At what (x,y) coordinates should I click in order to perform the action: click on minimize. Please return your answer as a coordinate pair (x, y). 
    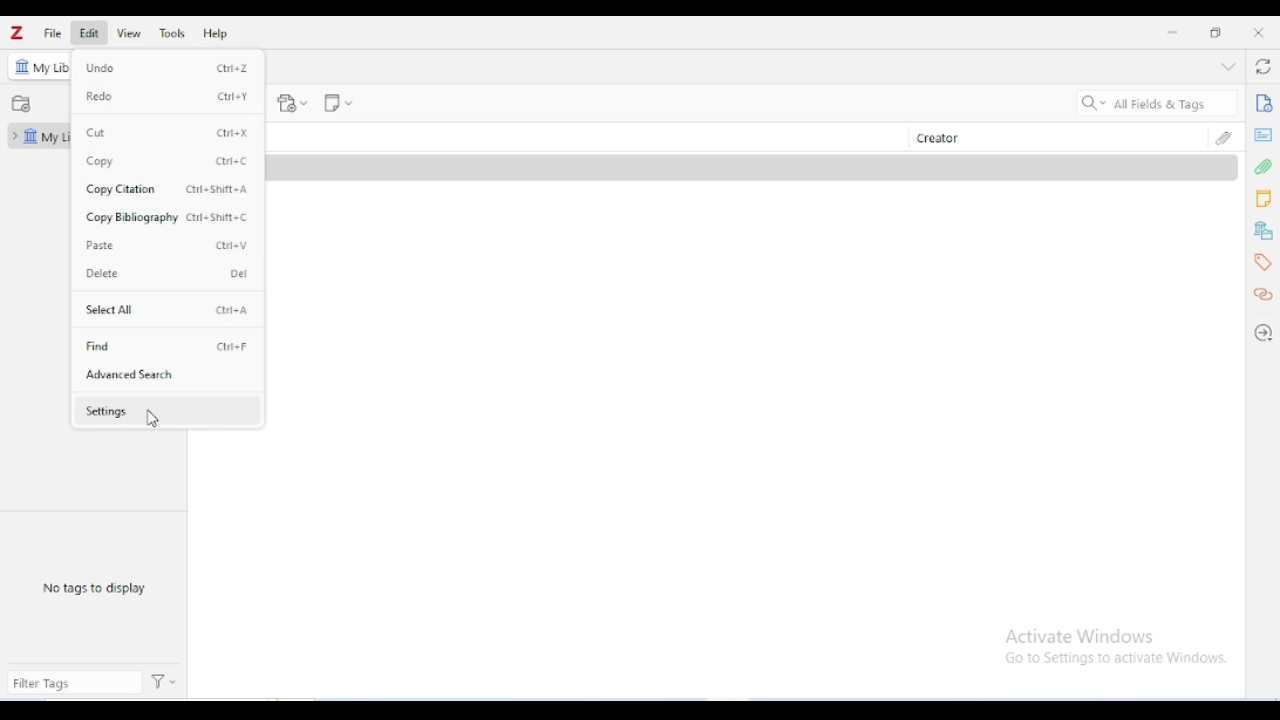
    Looking at the image, I should click on (1173, 33).